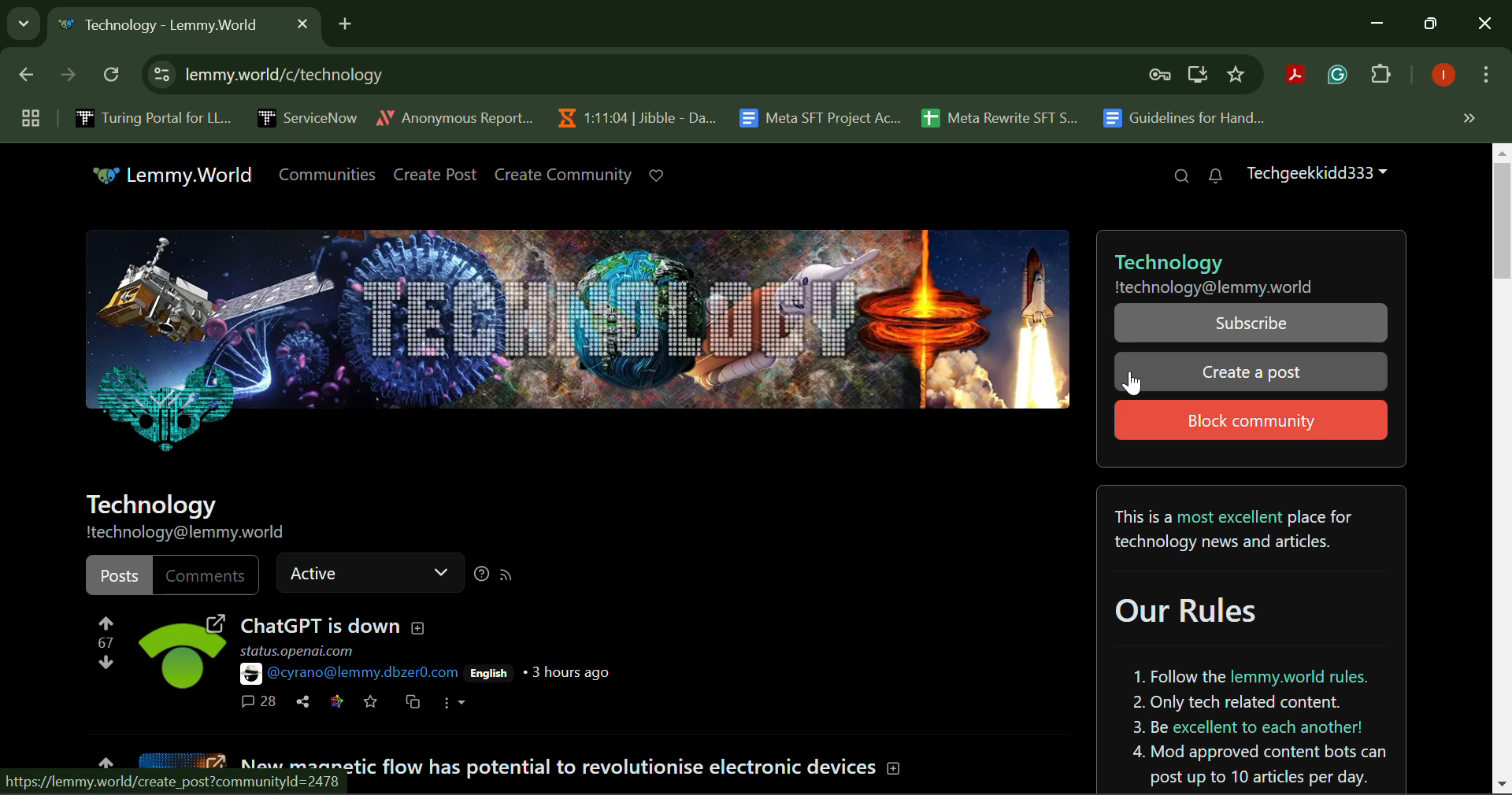 The width and height of the screenshot is (1512, 795). I want to click on Hidden Bookmarks, so click(1468, 117).